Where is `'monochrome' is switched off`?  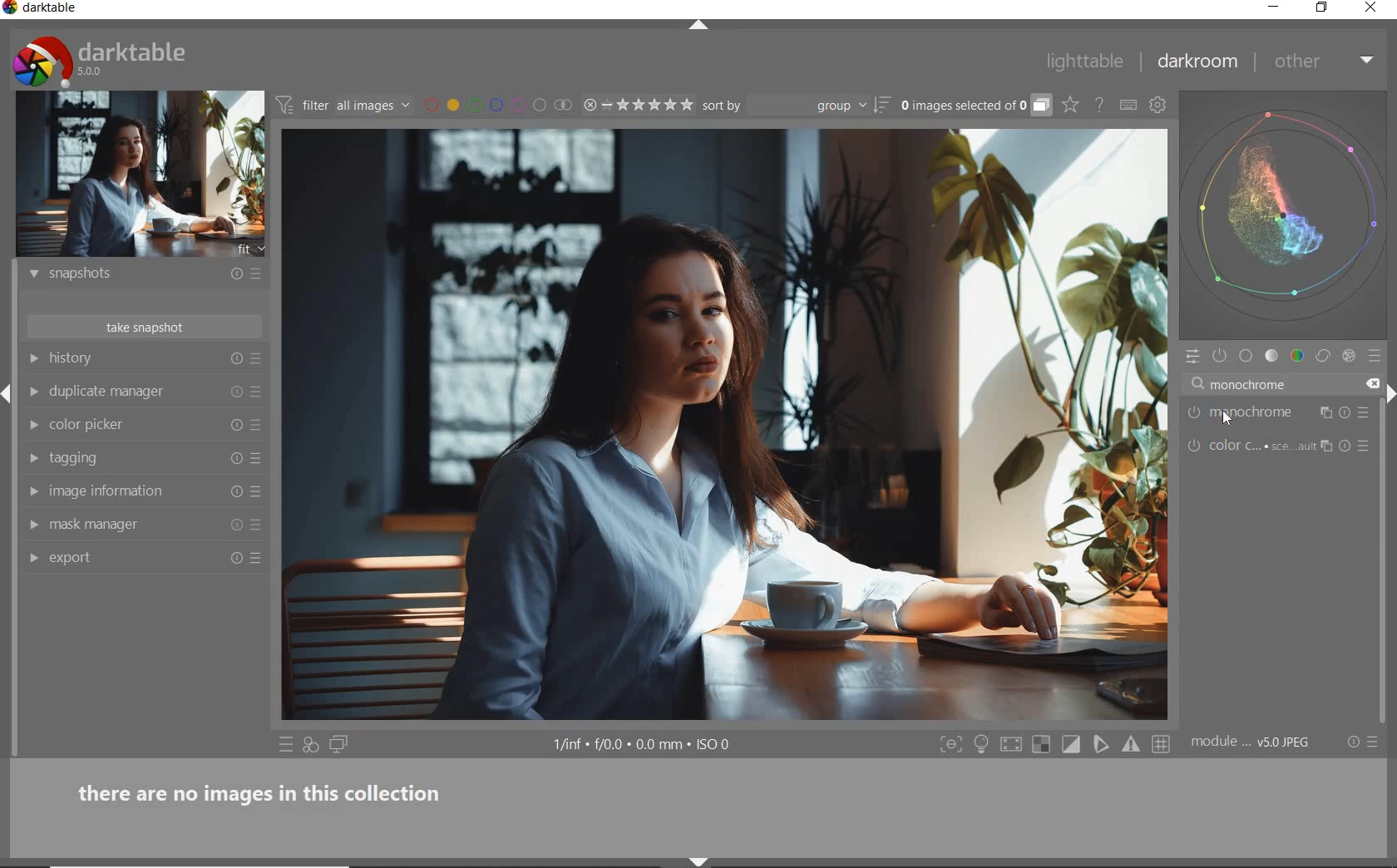
'monochrome' is switched off is located at coordinates (1195, 412).